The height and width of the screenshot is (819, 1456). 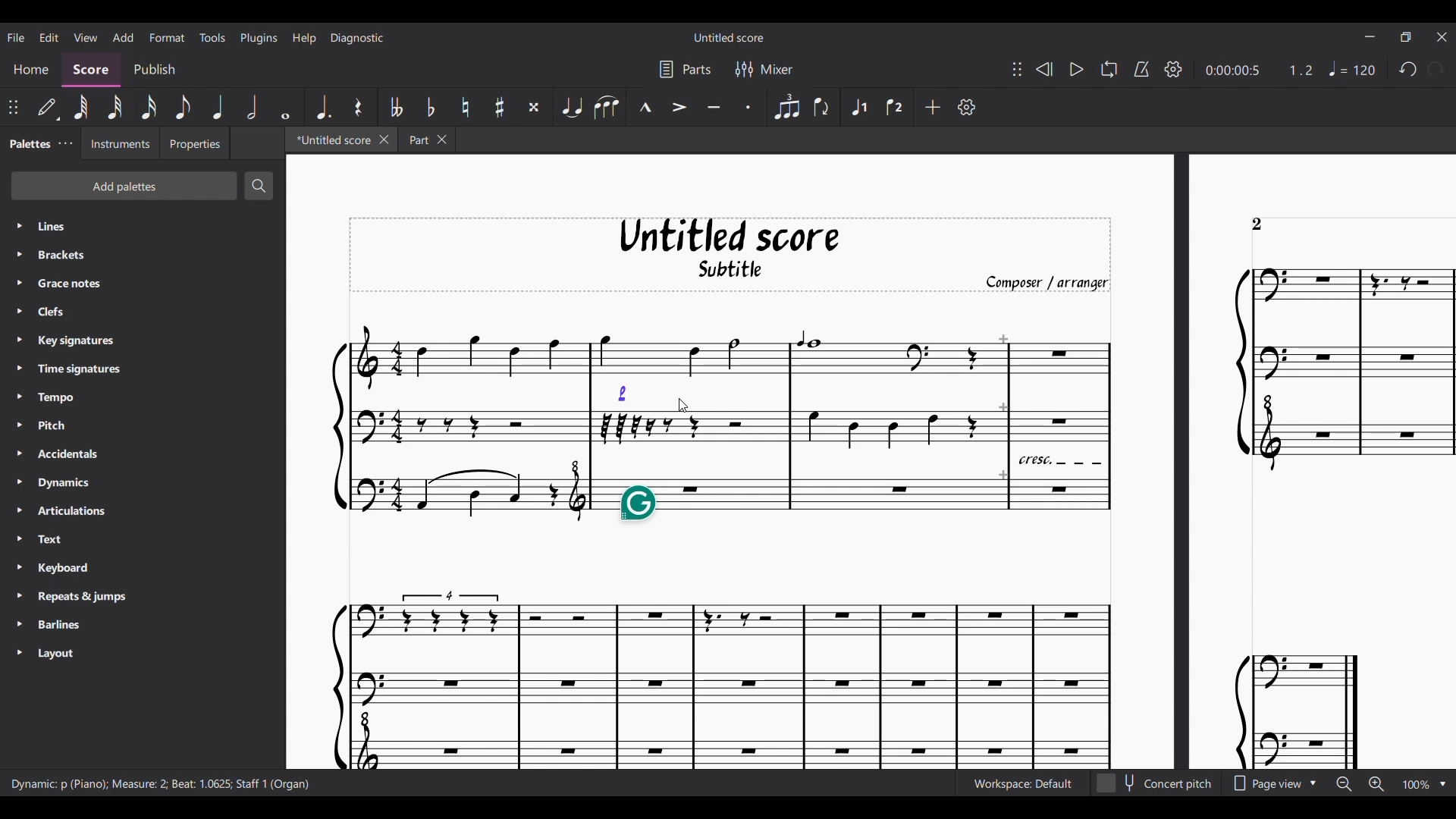 I want to click on Page count , so click(x=1257, y=224).